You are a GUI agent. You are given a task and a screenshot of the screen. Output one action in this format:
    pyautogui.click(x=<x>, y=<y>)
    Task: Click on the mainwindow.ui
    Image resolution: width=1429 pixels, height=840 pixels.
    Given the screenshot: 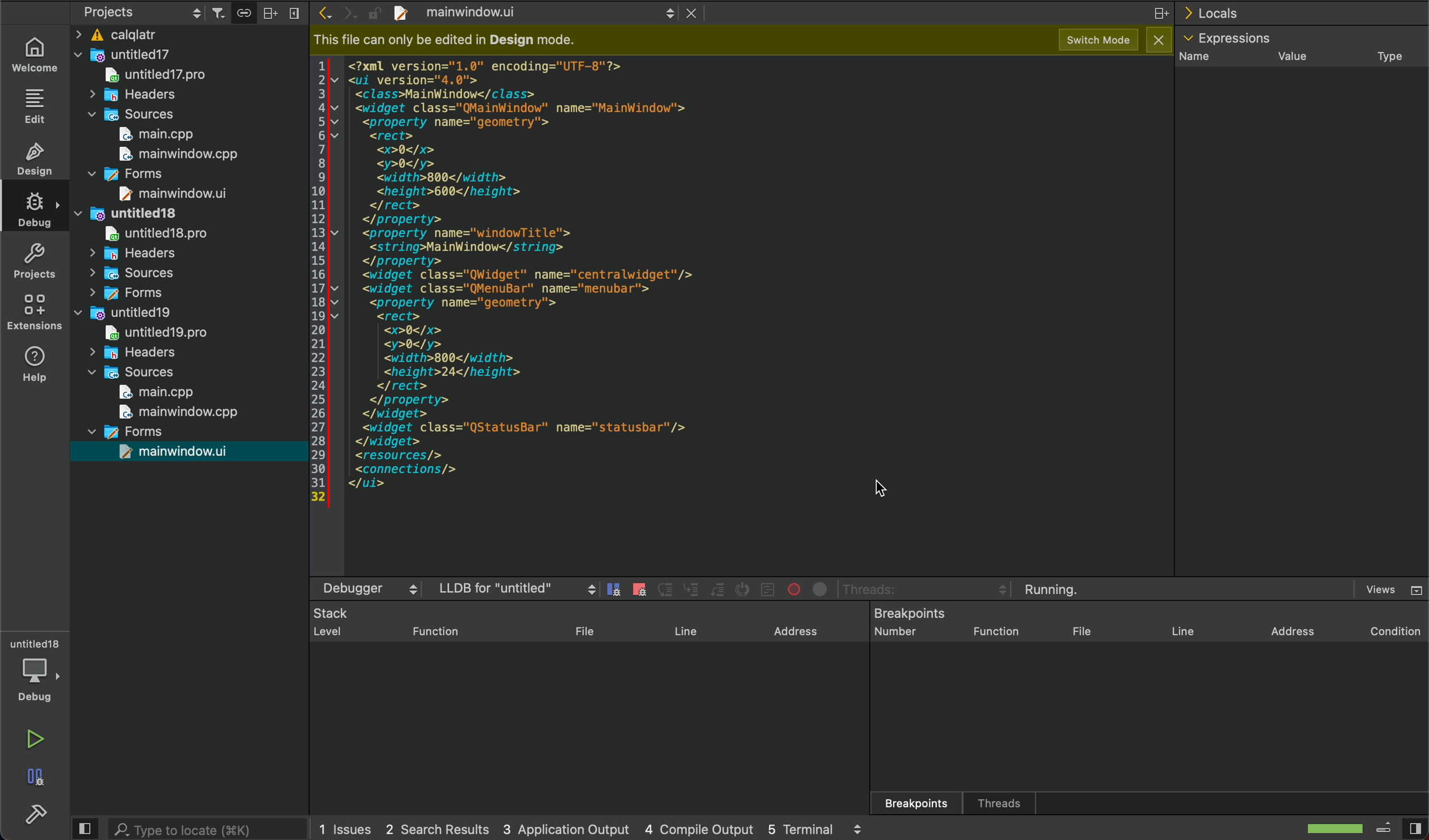 What is the action you would take?
    pyautogui.click(x=180, y=451)
    